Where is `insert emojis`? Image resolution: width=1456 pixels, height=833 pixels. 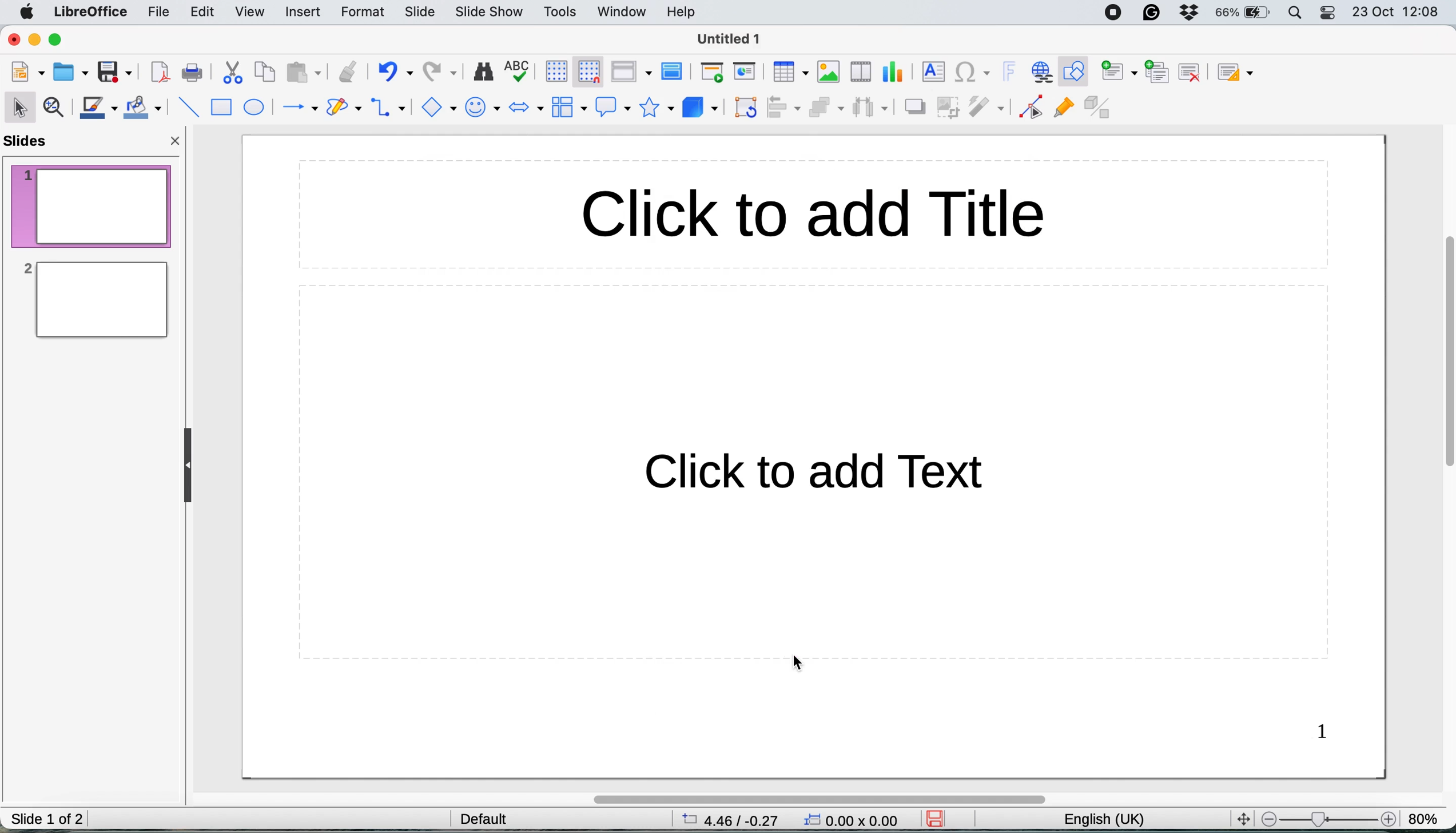
insert emojis is located at coordinates (483, 108).